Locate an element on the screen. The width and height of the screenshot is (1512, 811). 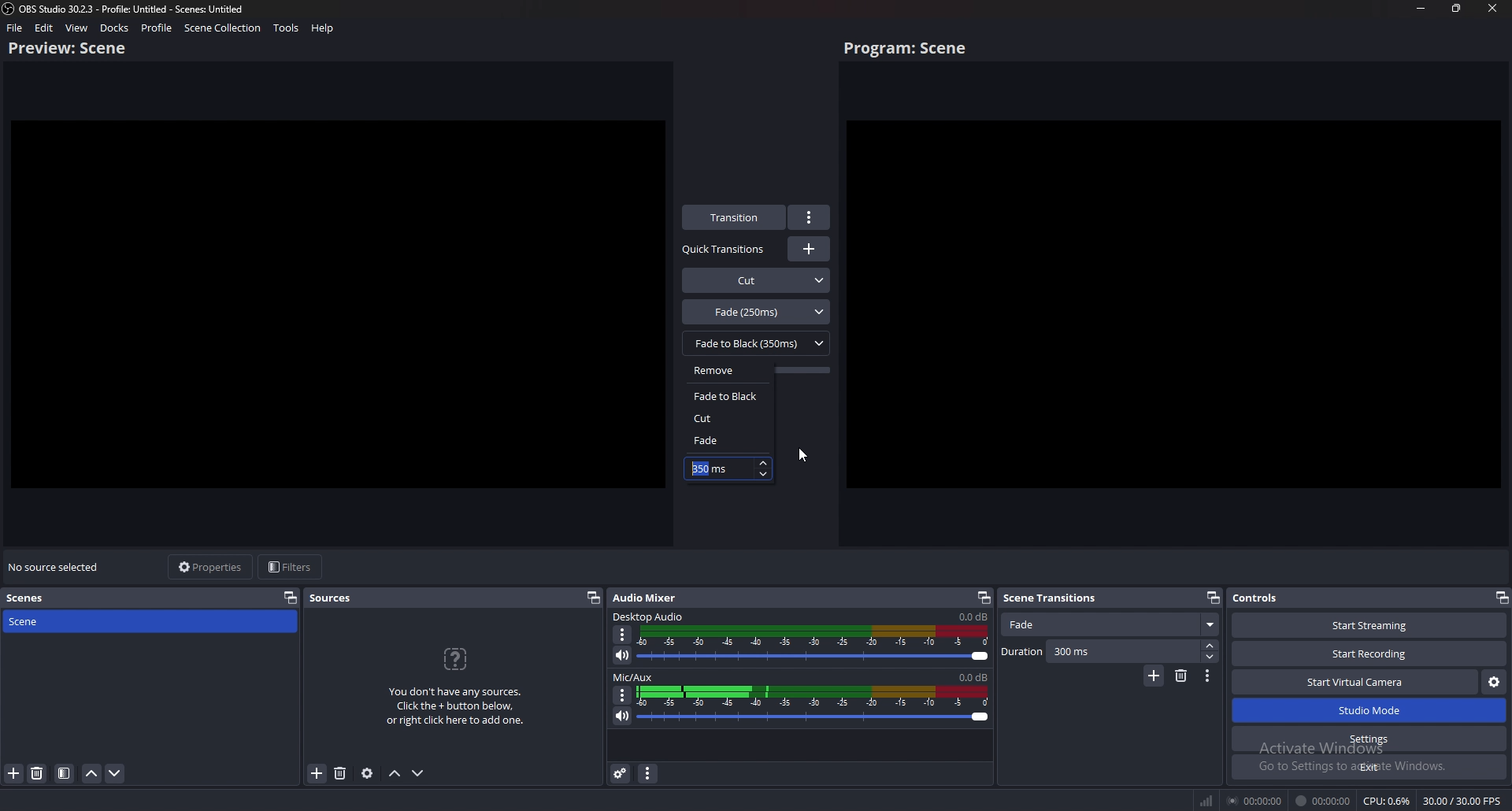
CPU: 0.3% is located at coordinates (1388, 801).